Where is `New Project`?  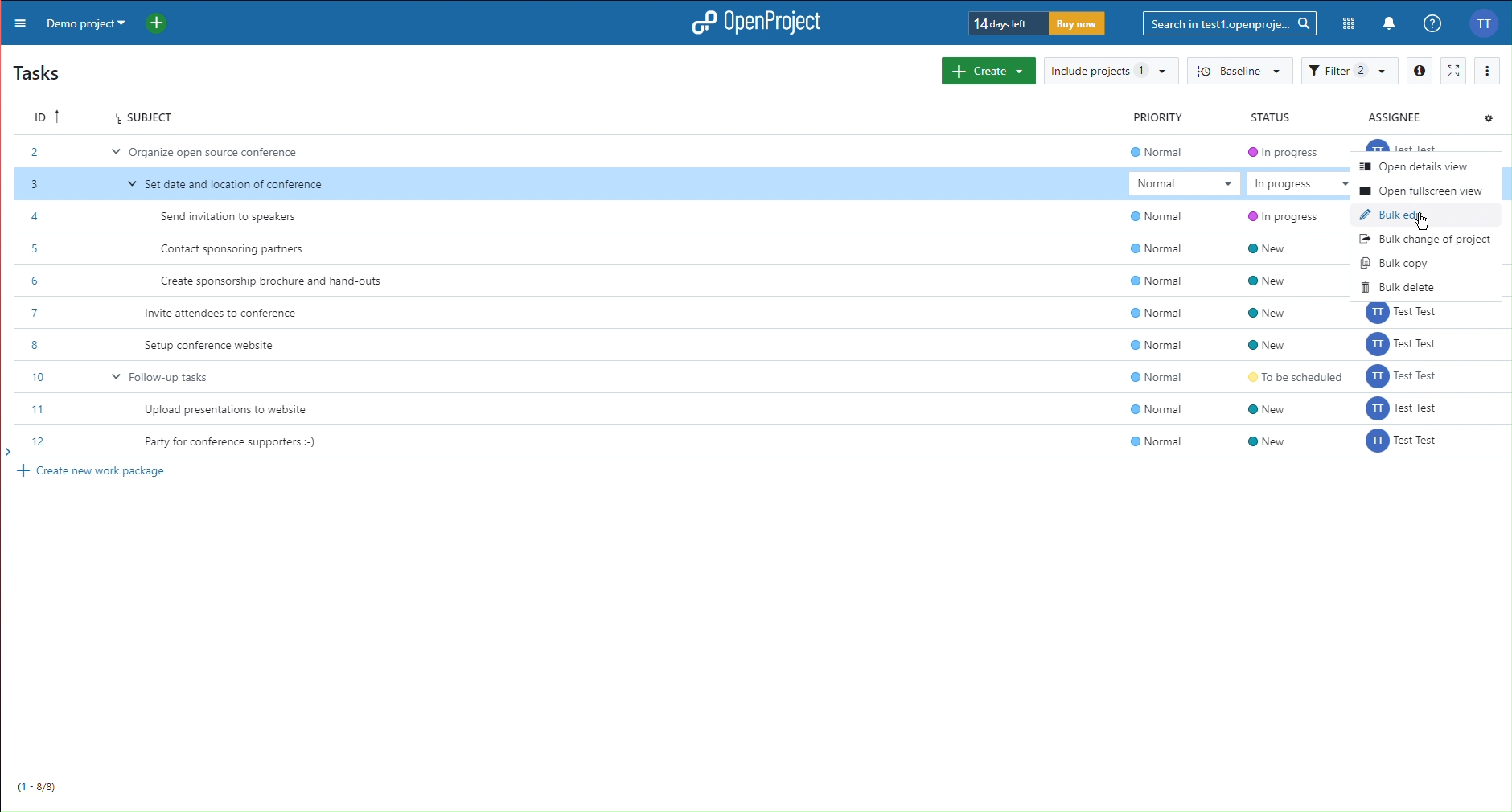
New Project is located at coordinates (162, 21).